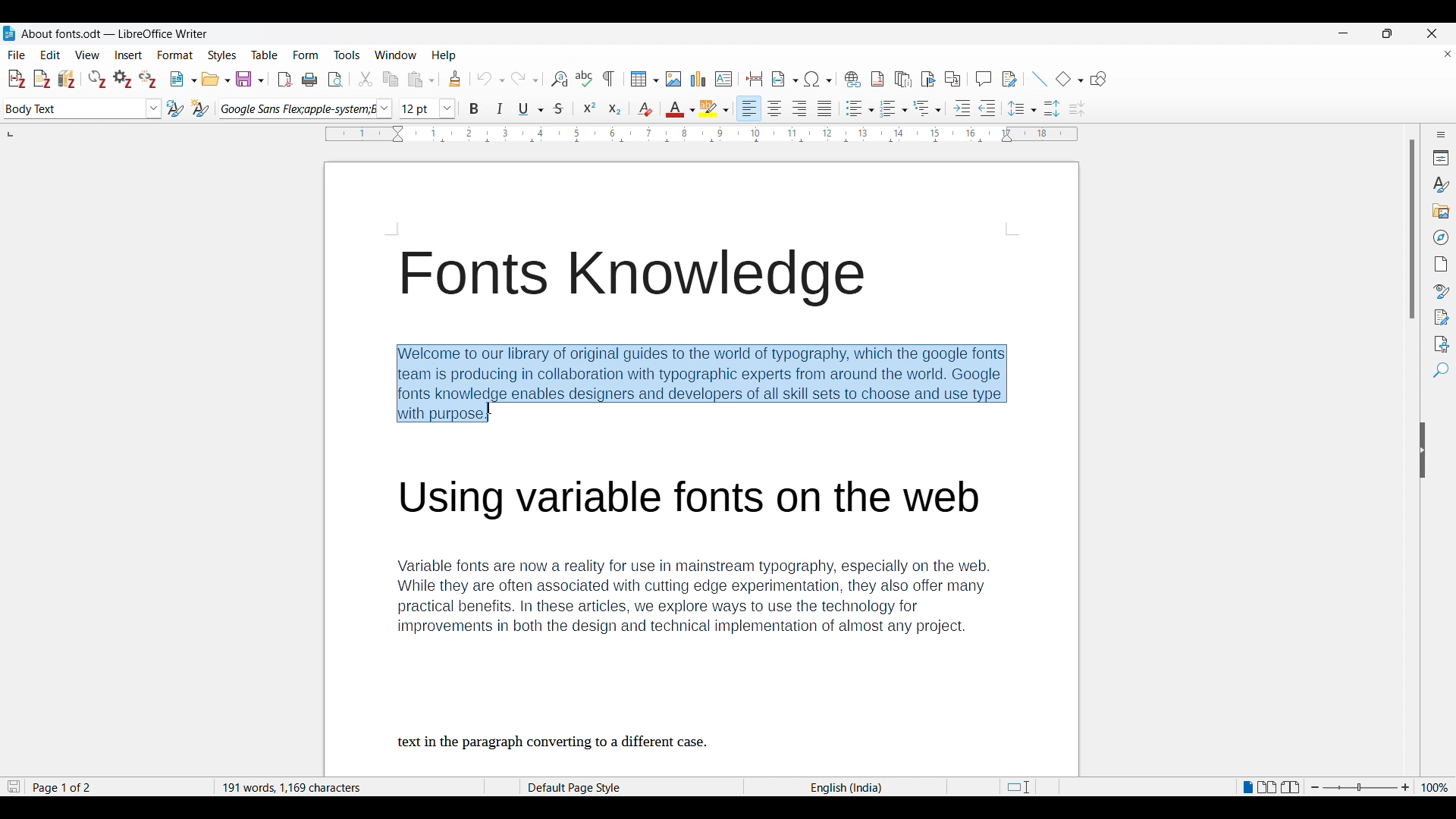 This screenshot has width=1456, height=819. I want to click on Sidebar settings, so click(1441, 134).